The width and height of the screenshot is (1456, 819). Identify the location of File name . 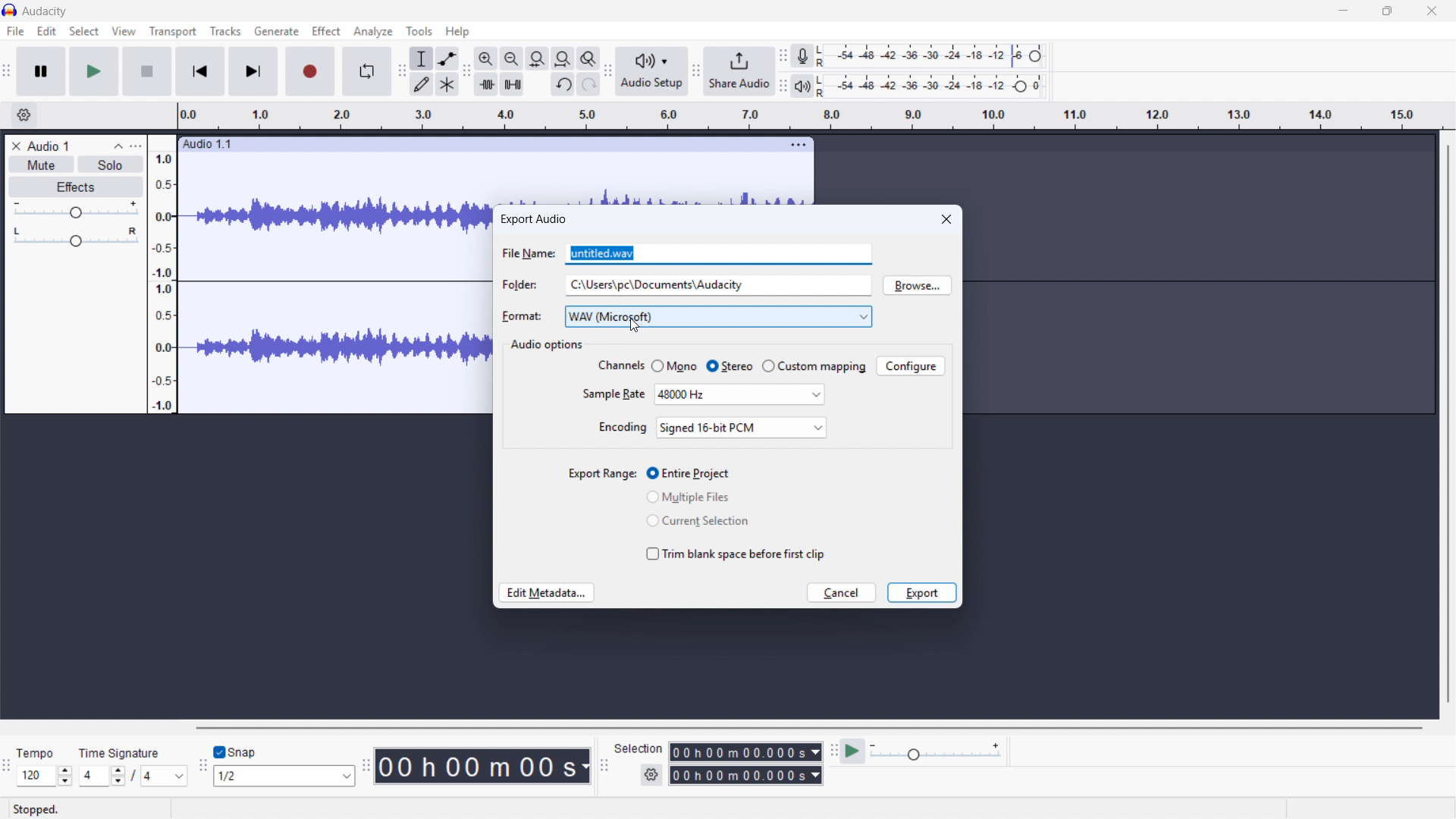
(719, 253).